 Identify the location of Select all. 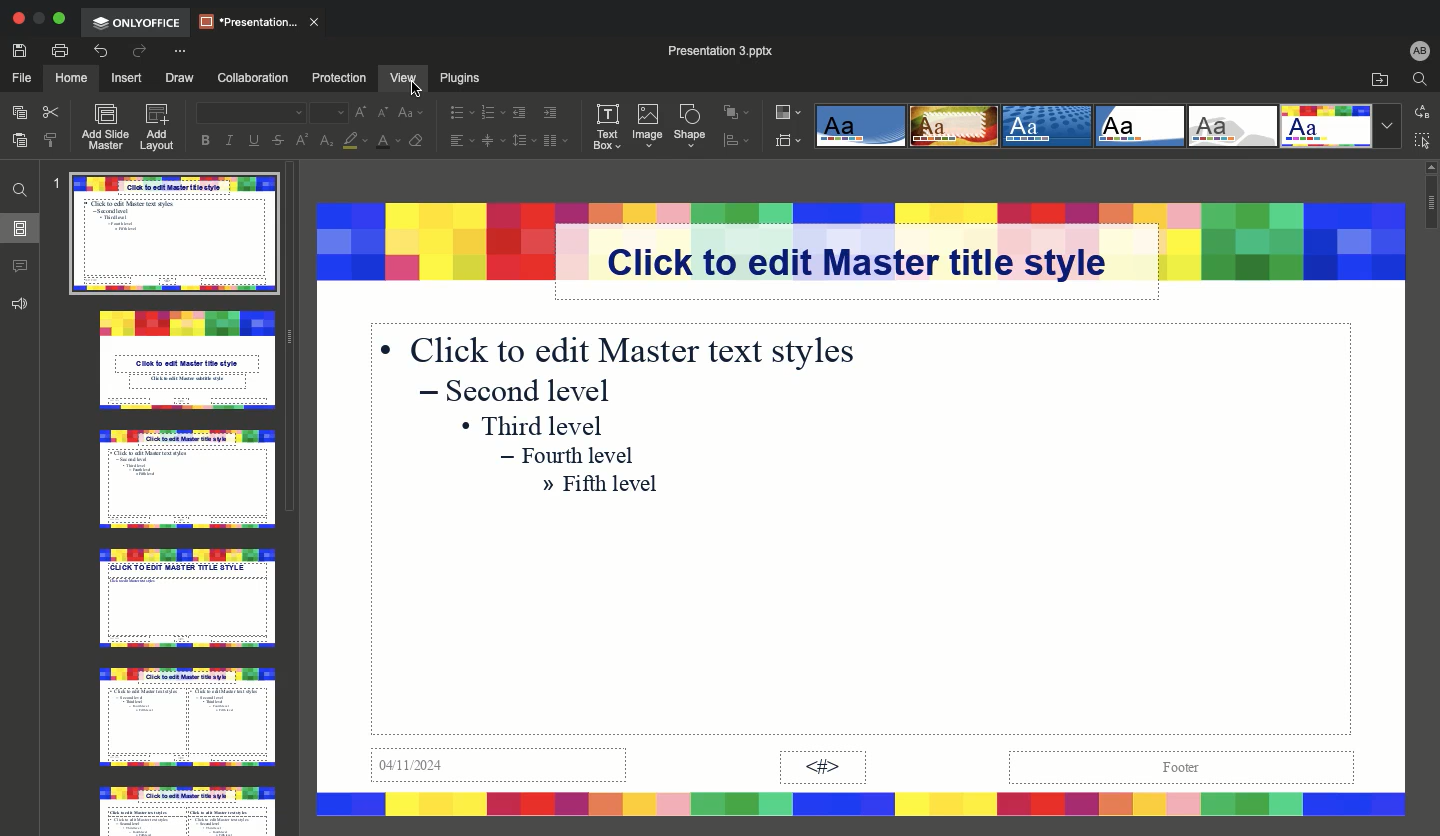
(1421, 142).